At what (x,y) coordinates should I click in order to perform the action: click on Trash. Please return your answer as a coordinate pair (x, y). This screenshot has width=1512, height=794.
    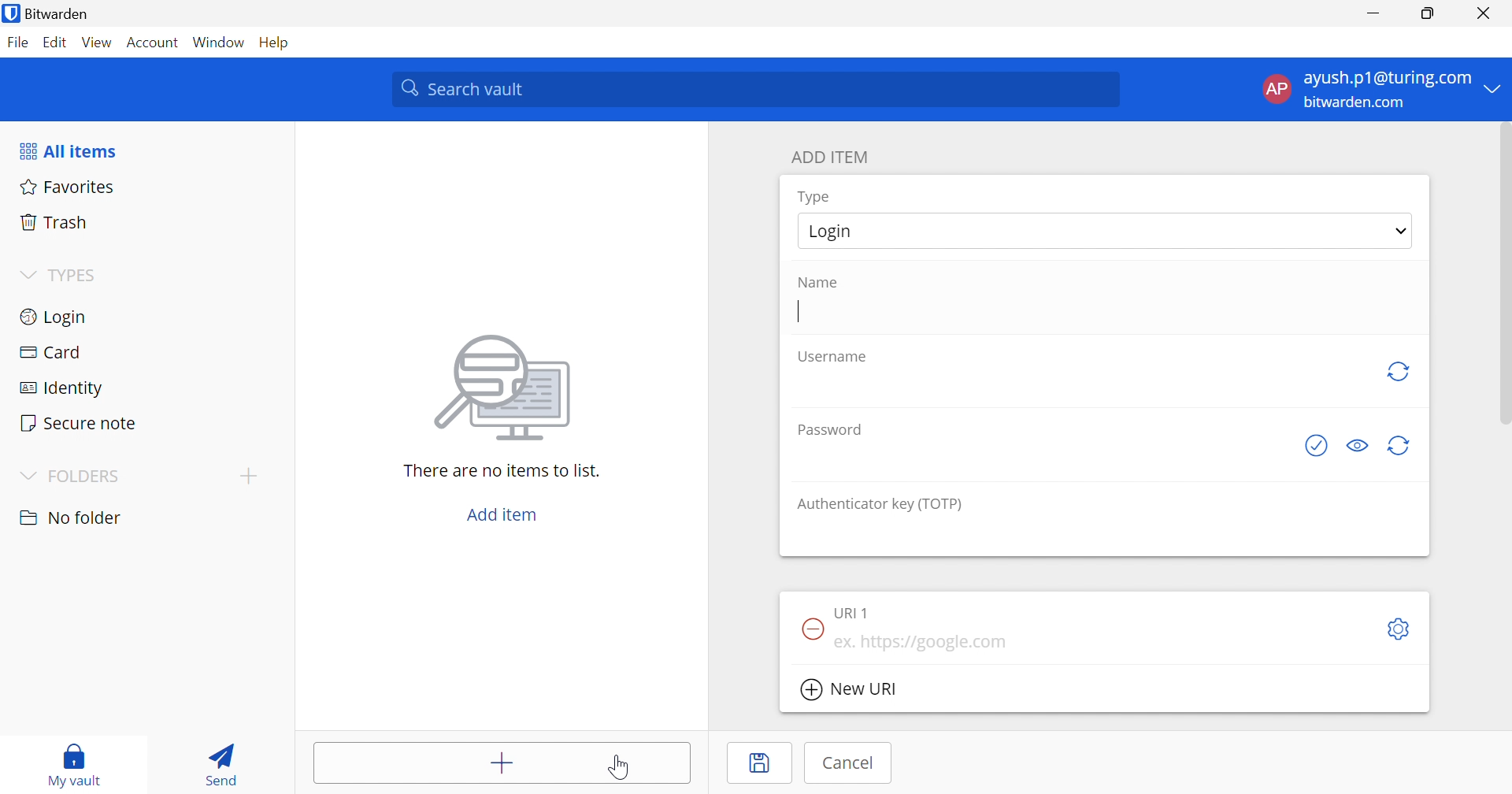
    Looking at the image, I should click on (54, 220).